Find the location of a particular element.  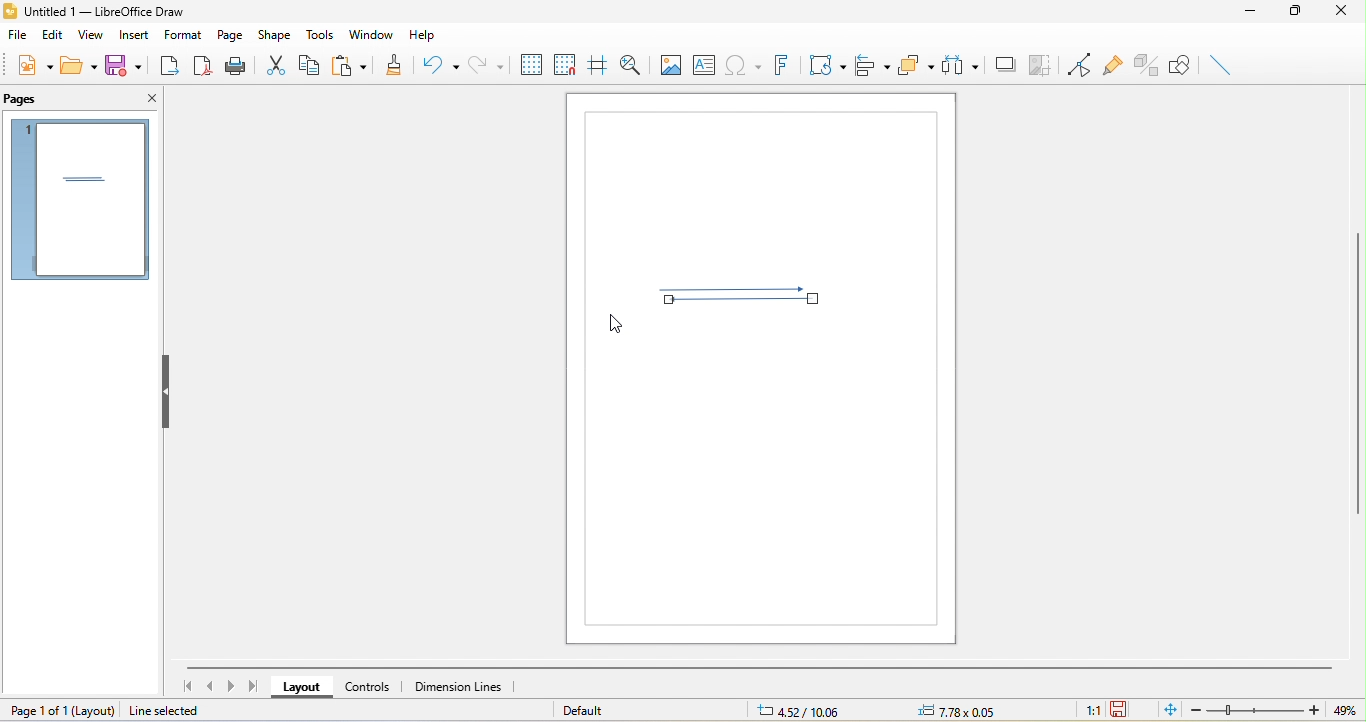

the document has not been modified since the last save is located at coordinates (1122, 710).